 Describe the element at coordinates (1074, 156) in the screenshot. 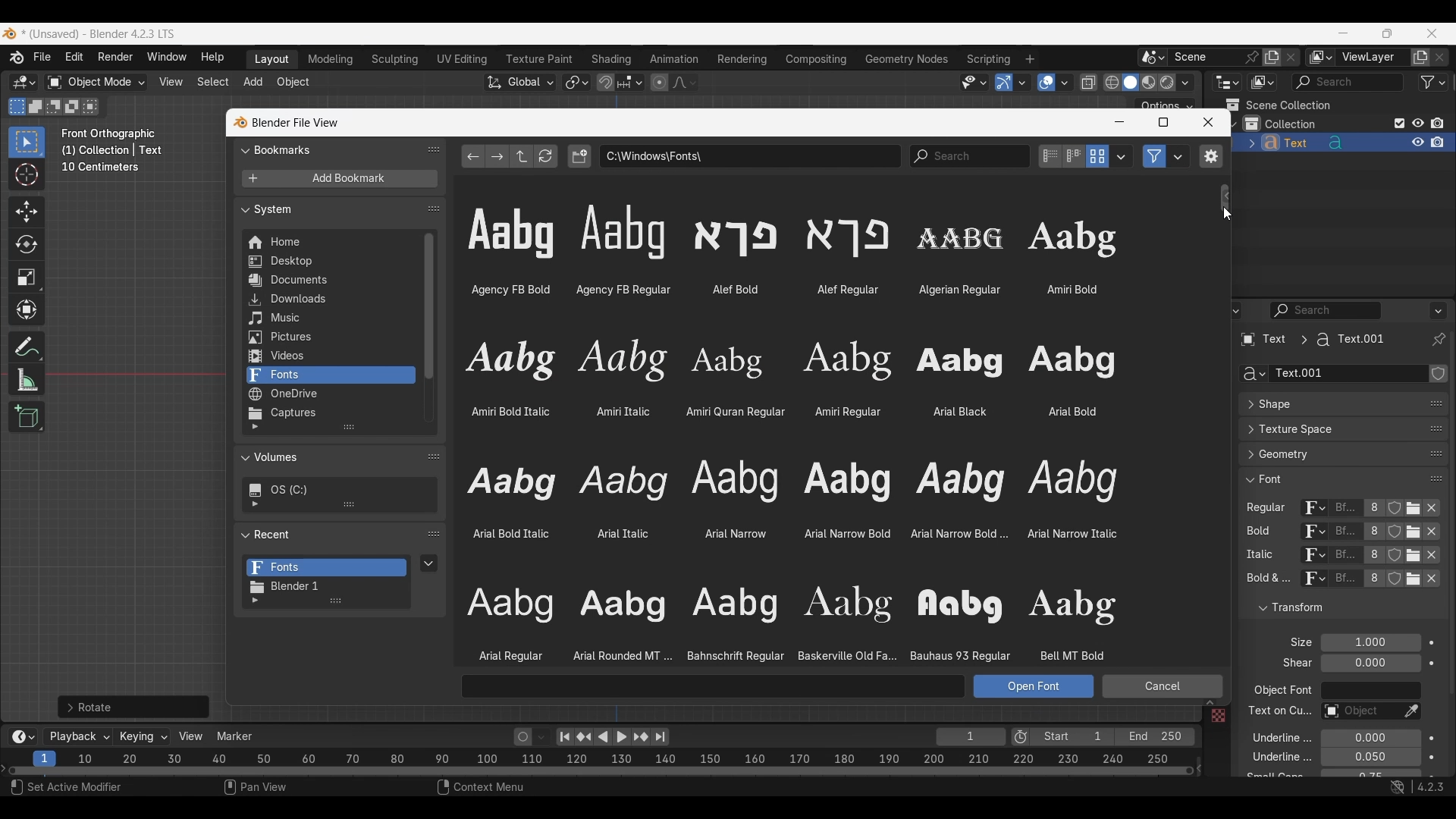

I see `Display settings, horizontal list` at that location.